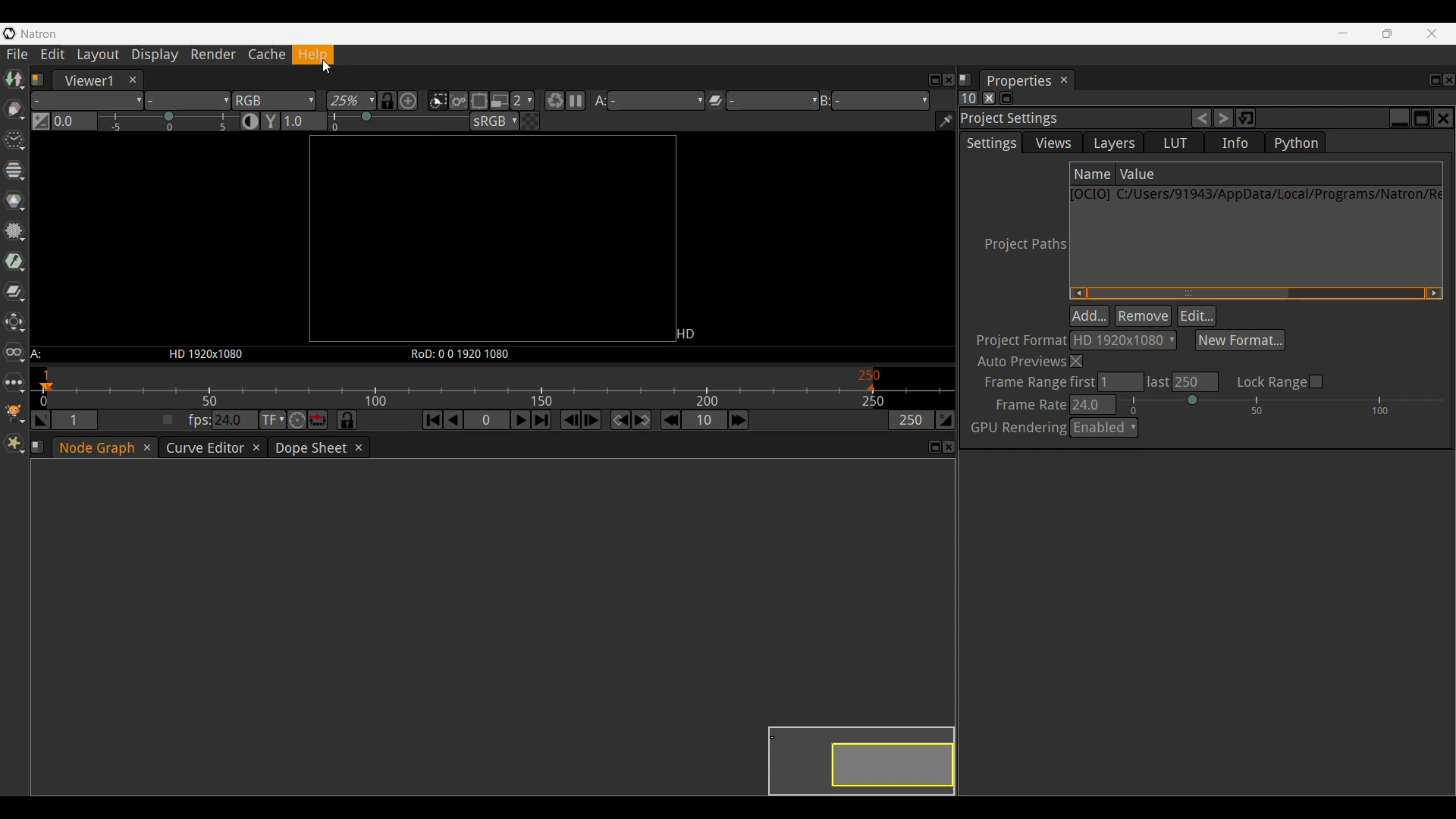 This screenshot has height=819, width=1456. I want to click on Frame rate slider, so click(1280, 405).